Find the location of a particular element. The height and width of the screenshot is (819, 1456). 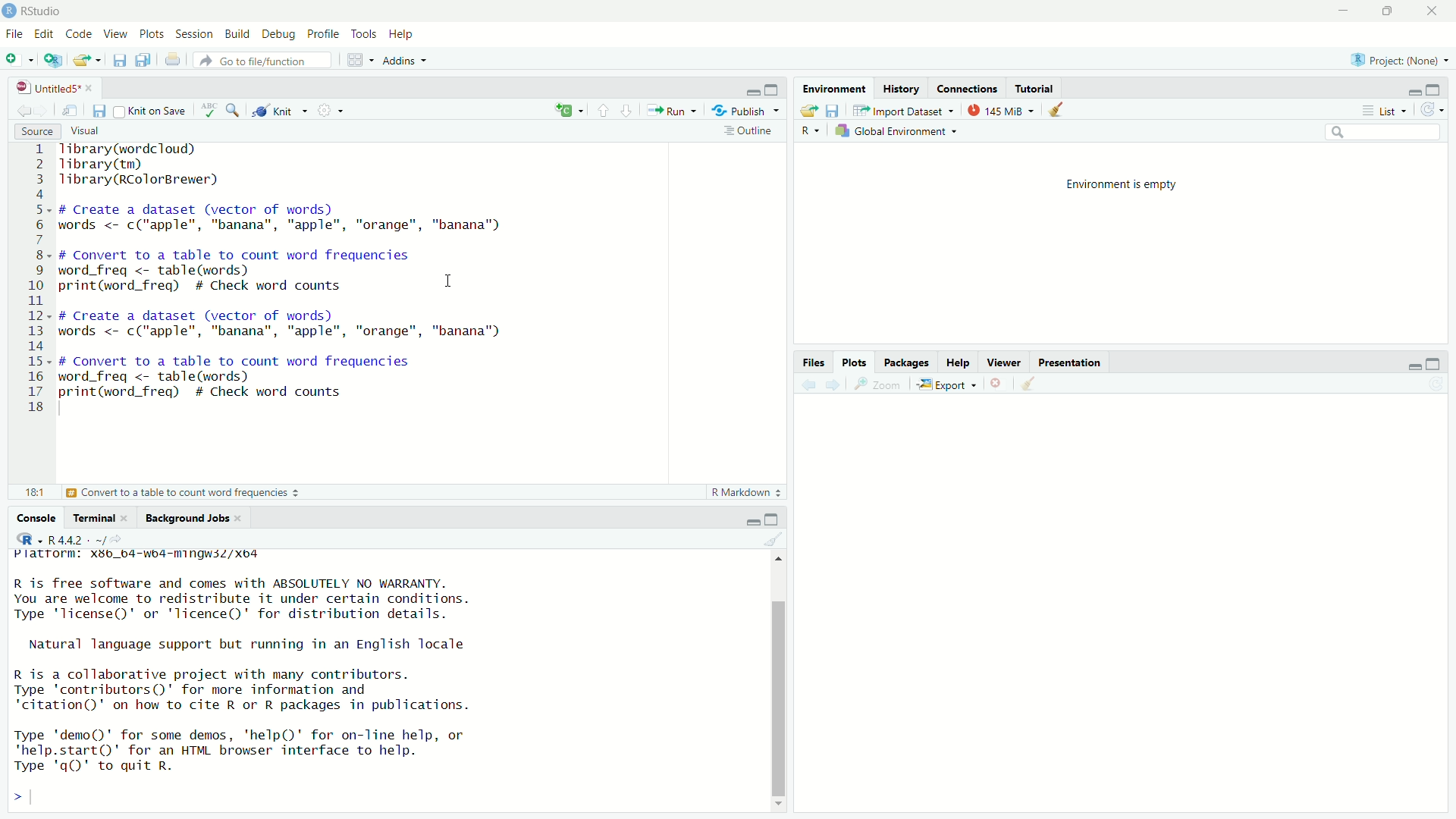

Minimize is located at coordinates (1410, 369).